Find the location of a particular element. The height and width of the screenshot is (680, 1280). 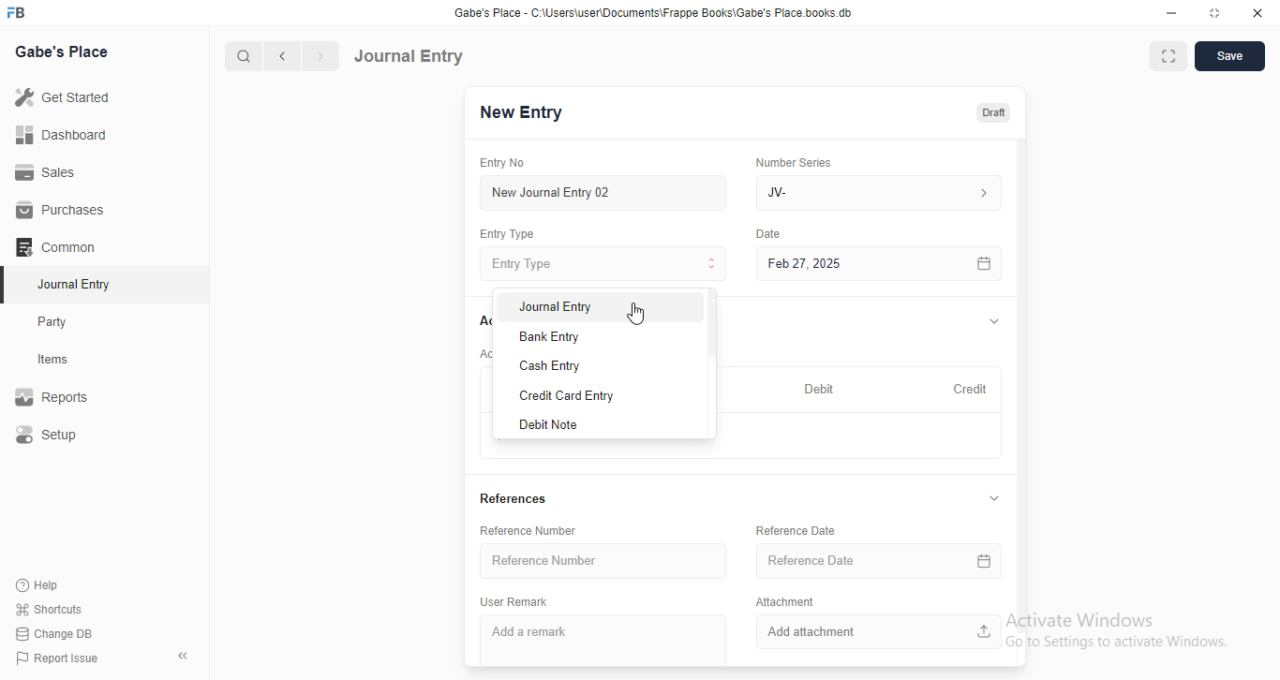

‘Reference Number is located at coordinates (607, 561).